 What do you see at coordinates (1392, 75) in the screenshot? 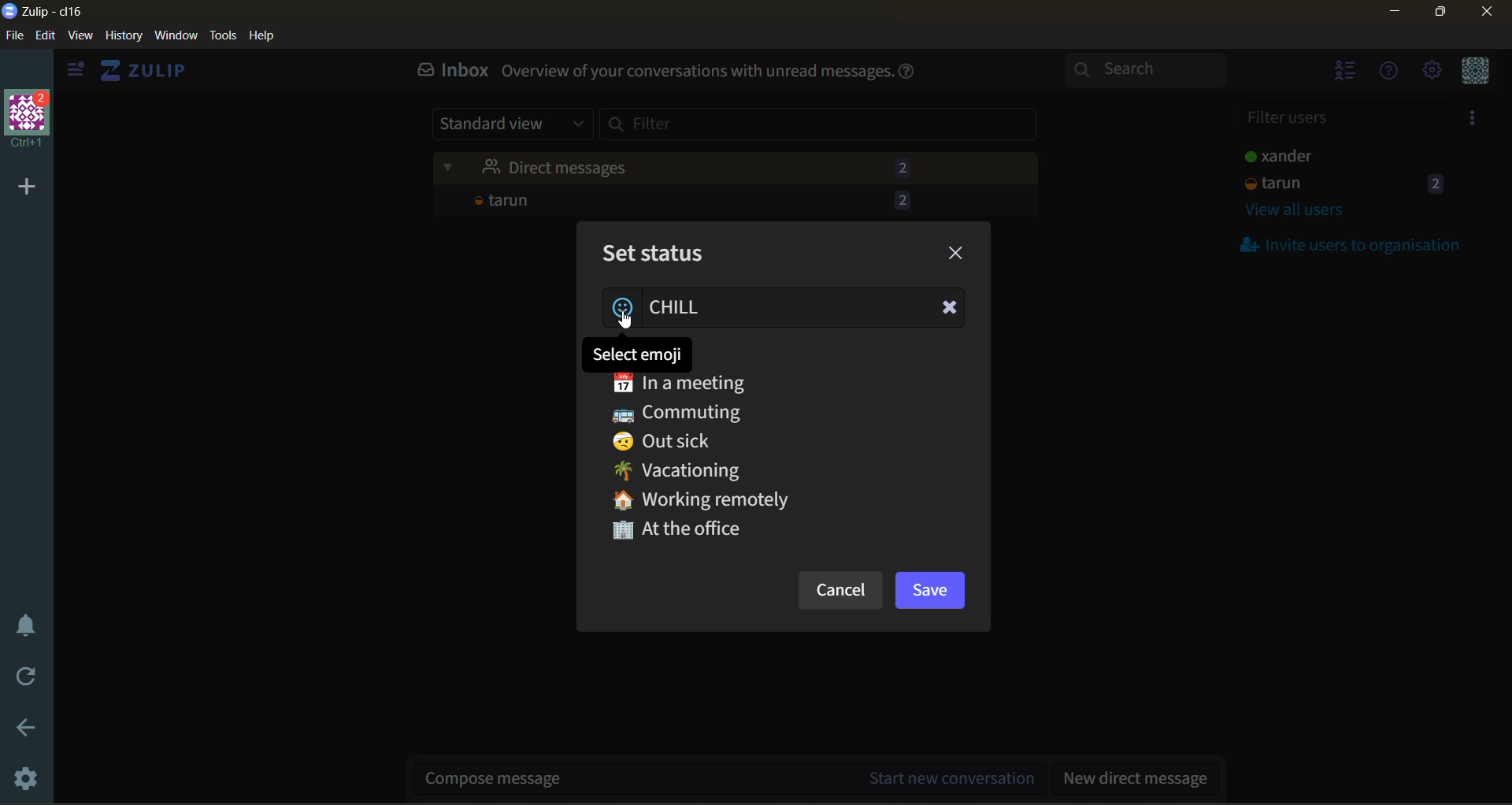
I see `help menu` at bounding box center [1392, 75].